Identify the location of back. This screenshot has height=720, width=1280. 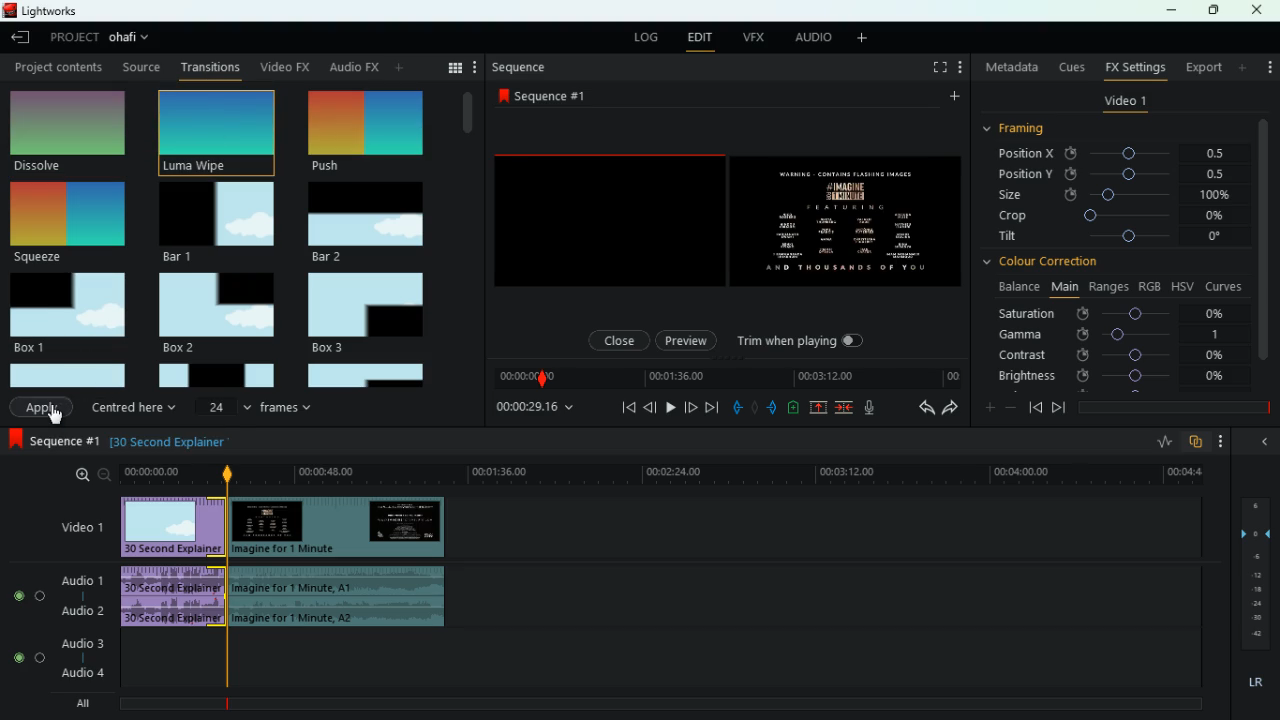
(1035, 407).